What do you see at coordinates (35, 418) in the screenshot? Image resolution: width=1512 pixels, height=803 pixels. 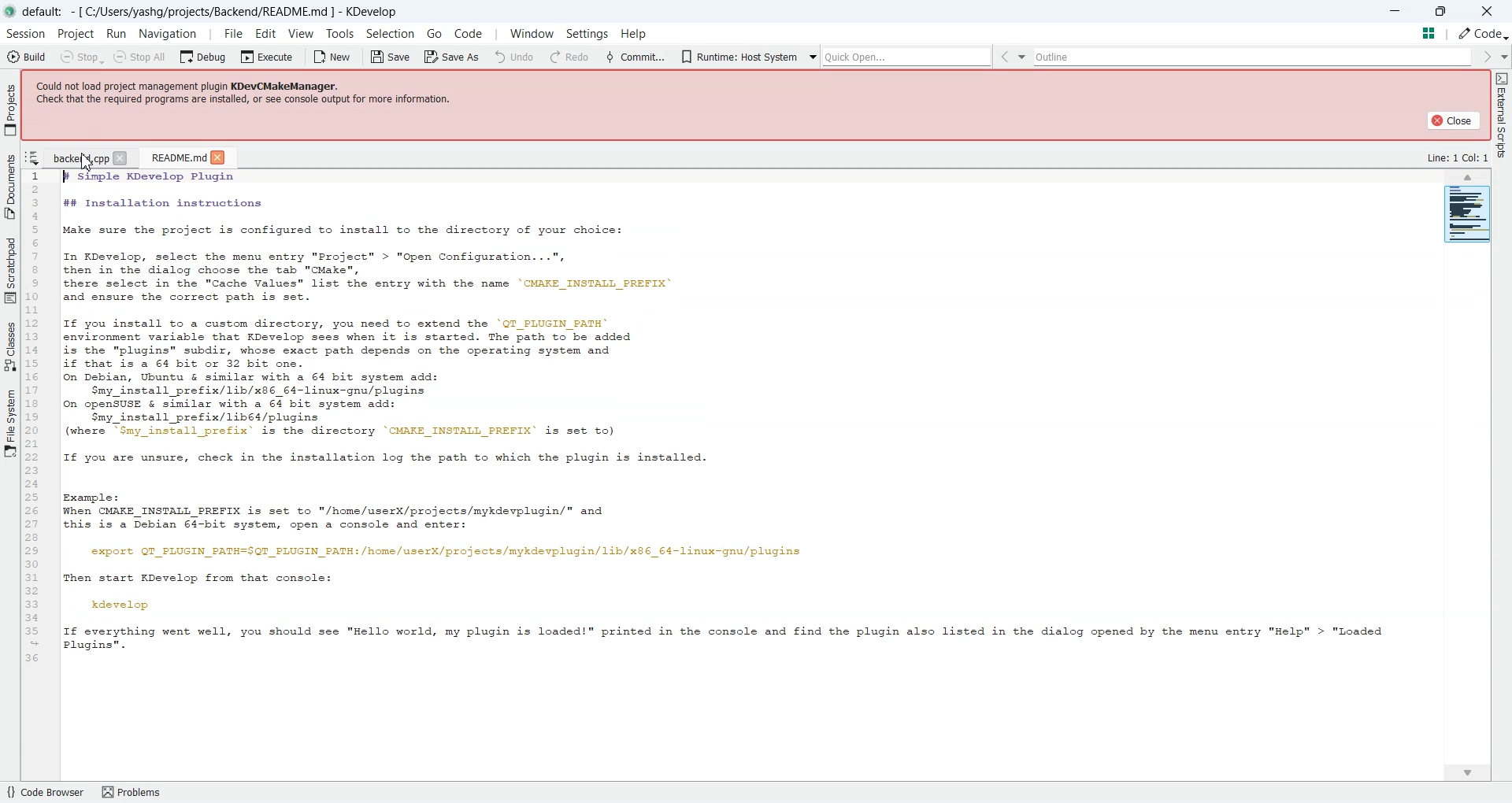 I see `Column numbers` at bounding box center [35, 418].